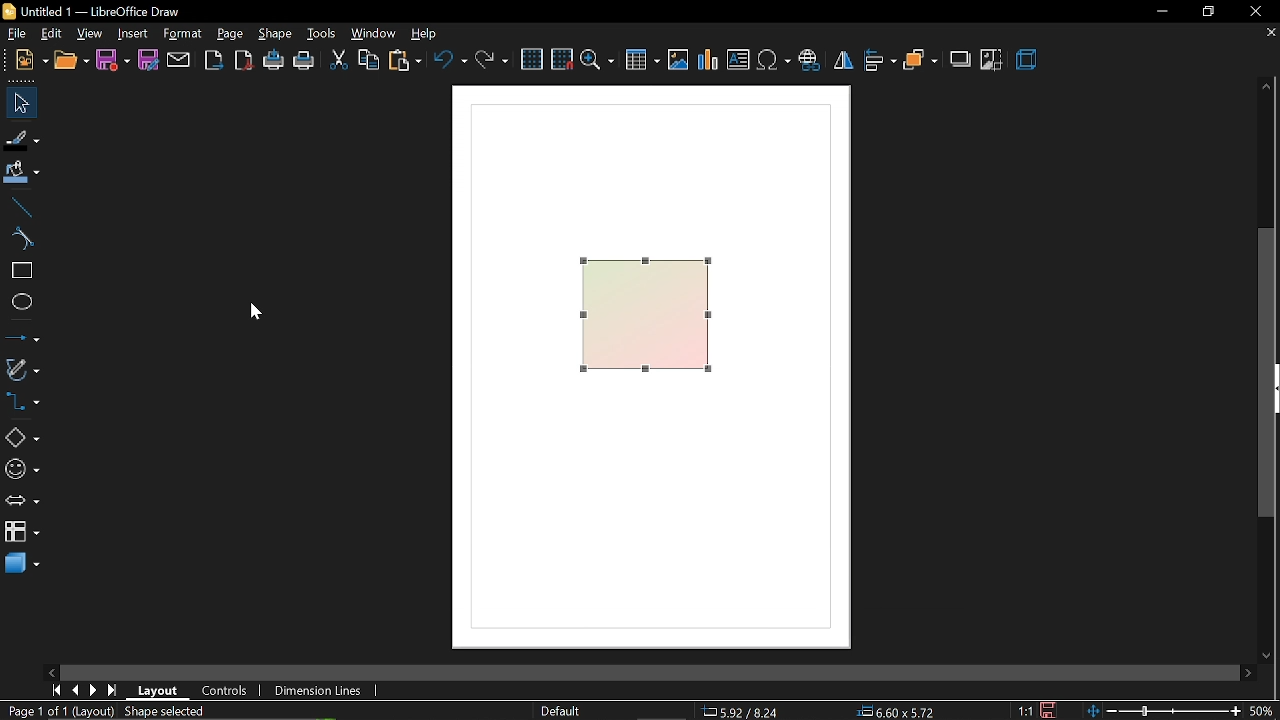  Describe the element at coordinates (1028, 62) in the screenshot. I see `3d effect` at that location.